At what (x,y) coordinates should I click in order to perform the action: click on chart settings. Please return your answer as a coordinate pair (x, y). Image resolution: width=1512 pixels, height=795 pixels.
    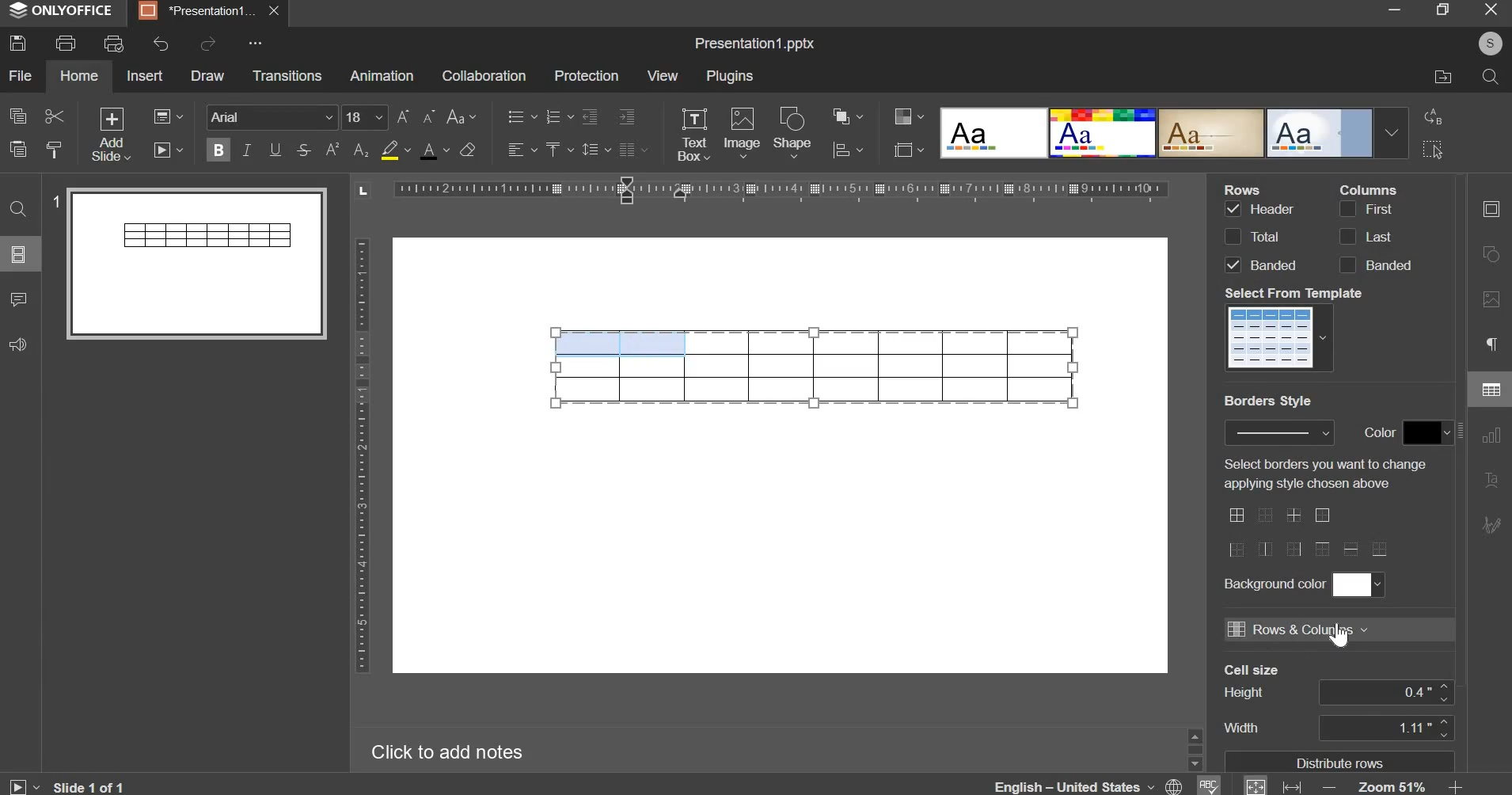
    Looking at the image, I should click on (848, 150).